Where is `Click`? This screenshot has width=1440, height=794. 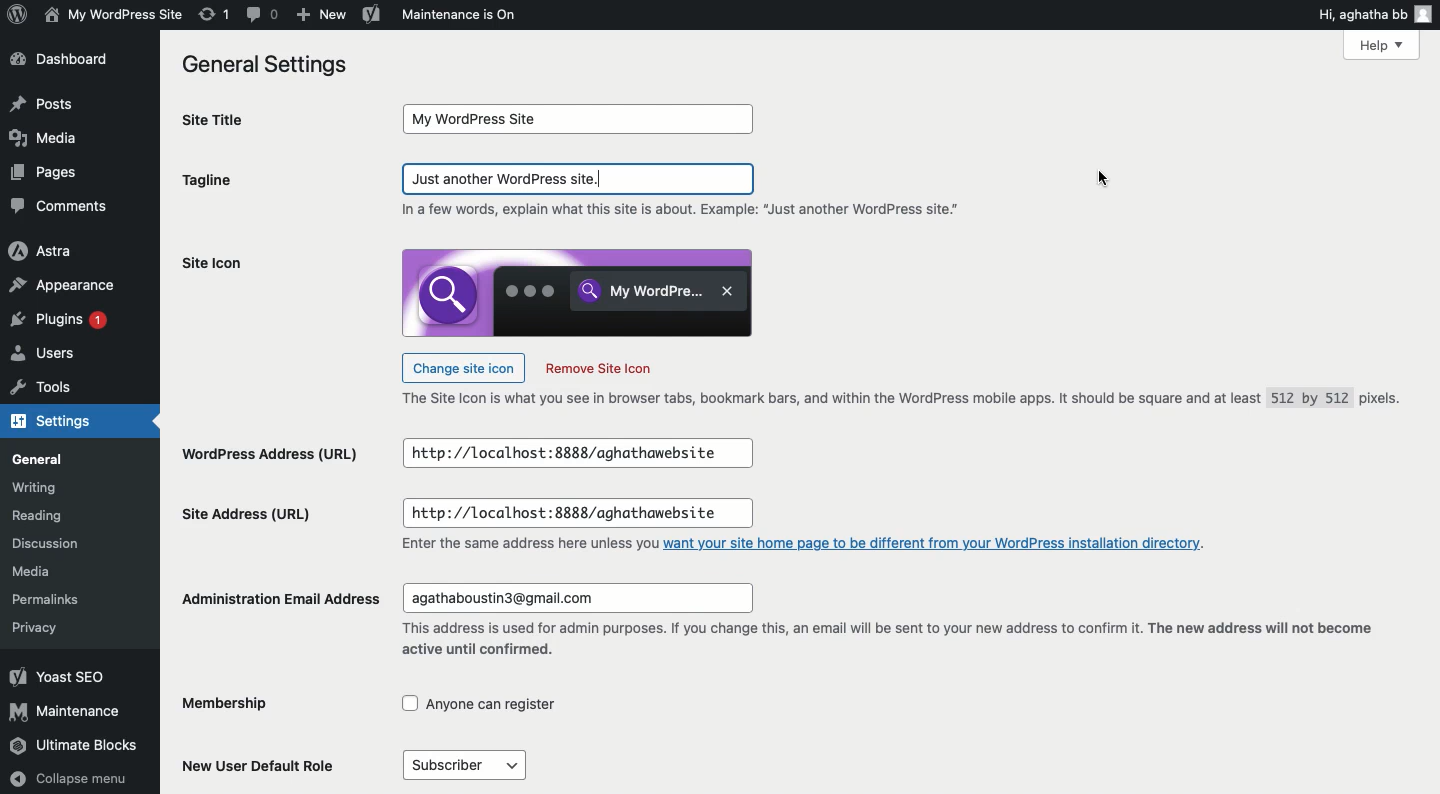 Click is located at coordinates (580, 179).